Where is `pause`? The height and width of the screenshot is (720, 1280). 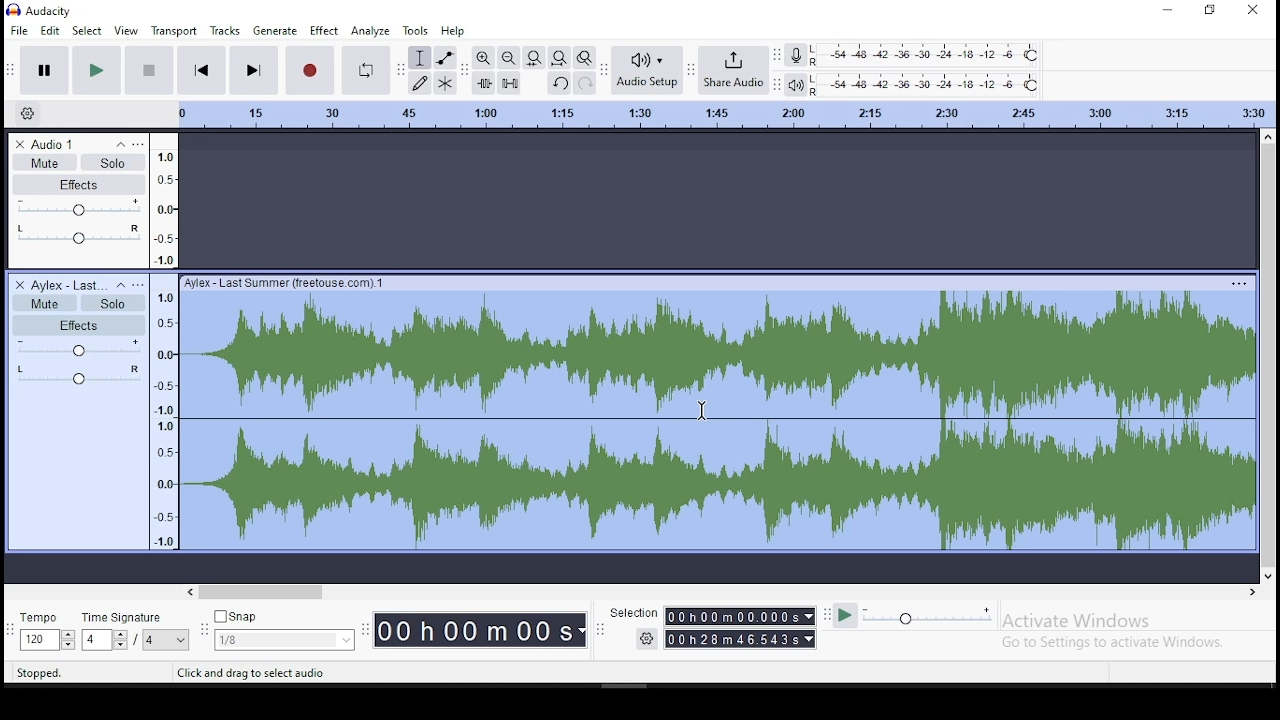 pause is located at coordinates (96, 70).